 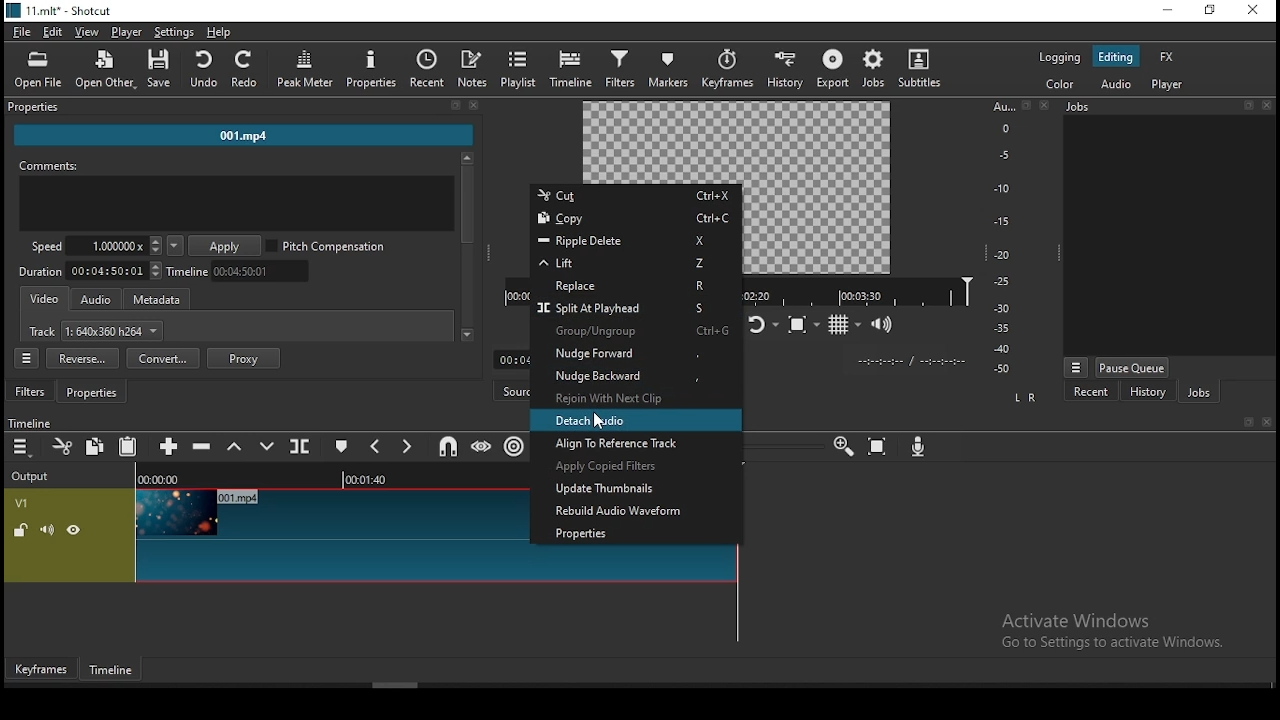 I want to click on replace, so click(x=625, y=283).